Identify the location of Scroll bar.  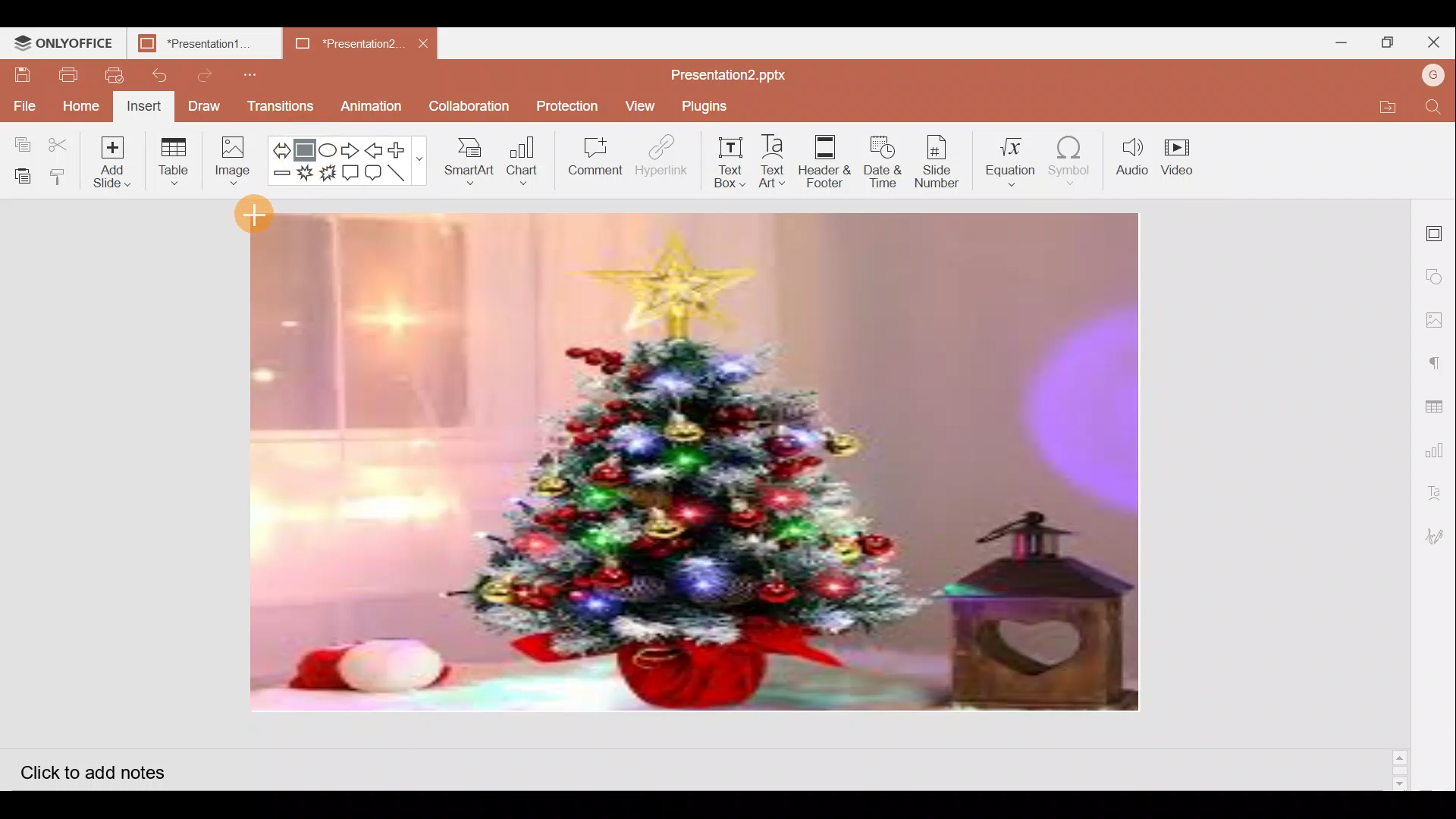
(1401, 494).